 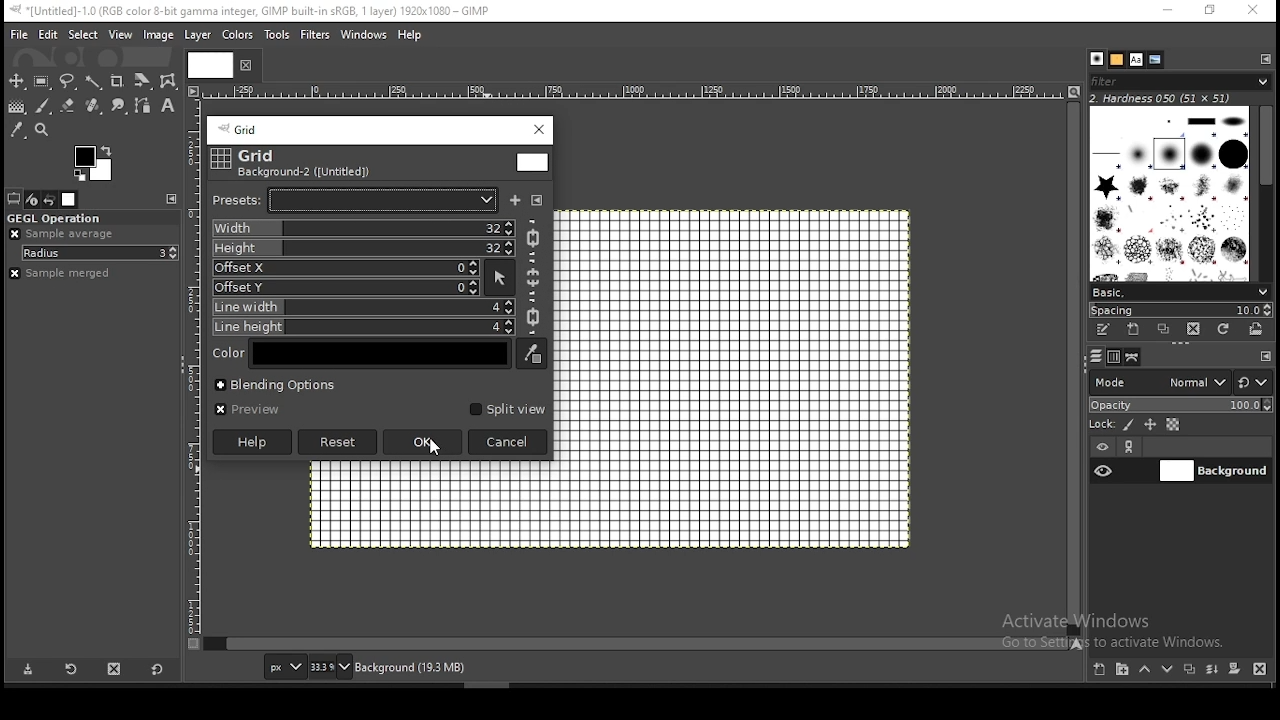 What do you see at coordinates (1155, 60) in the screenshot?
I see `document history` at bounding box center [1155, 60].